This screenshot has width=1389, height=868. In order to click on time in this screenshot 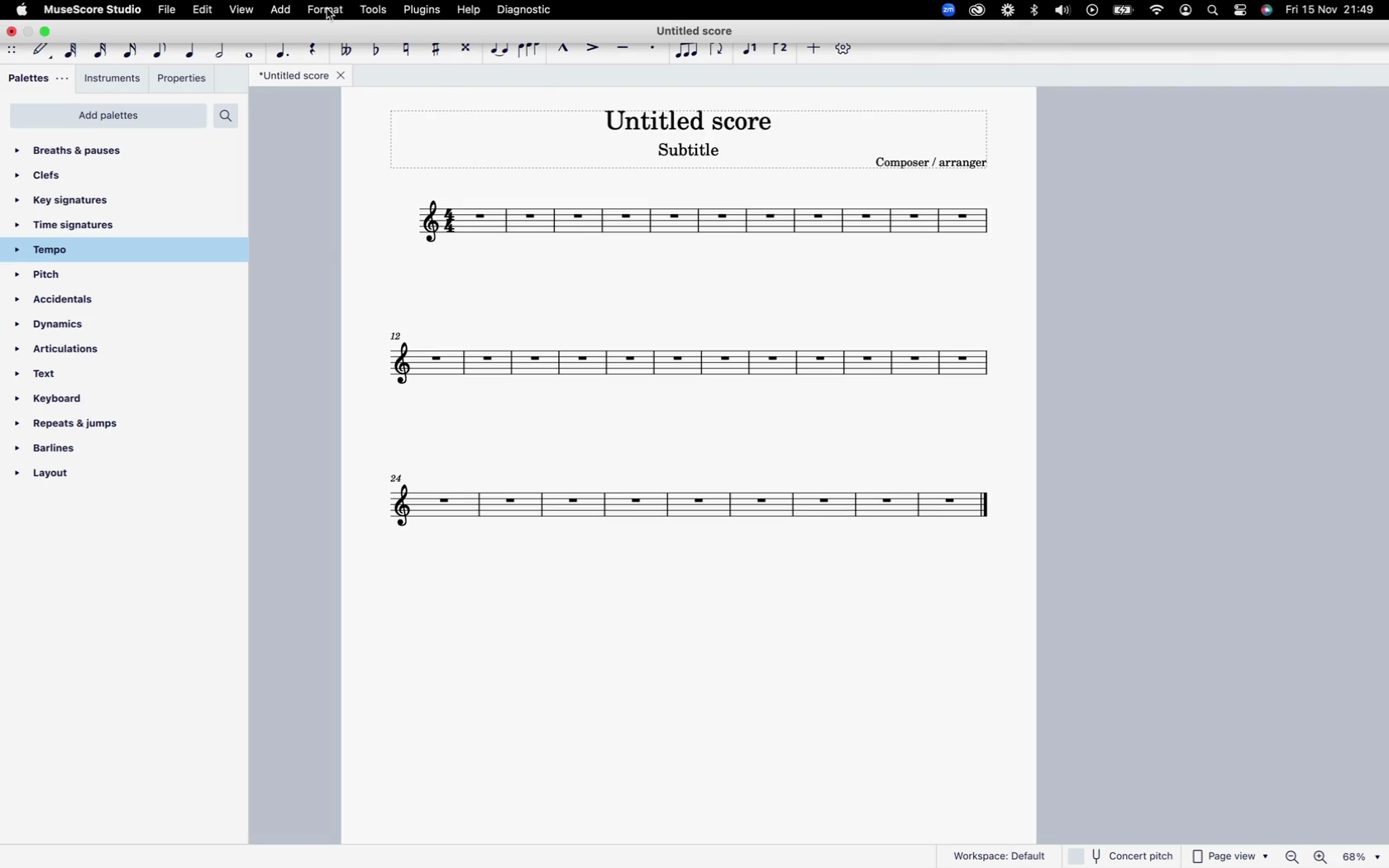, I will do `click(1331, 9)`.